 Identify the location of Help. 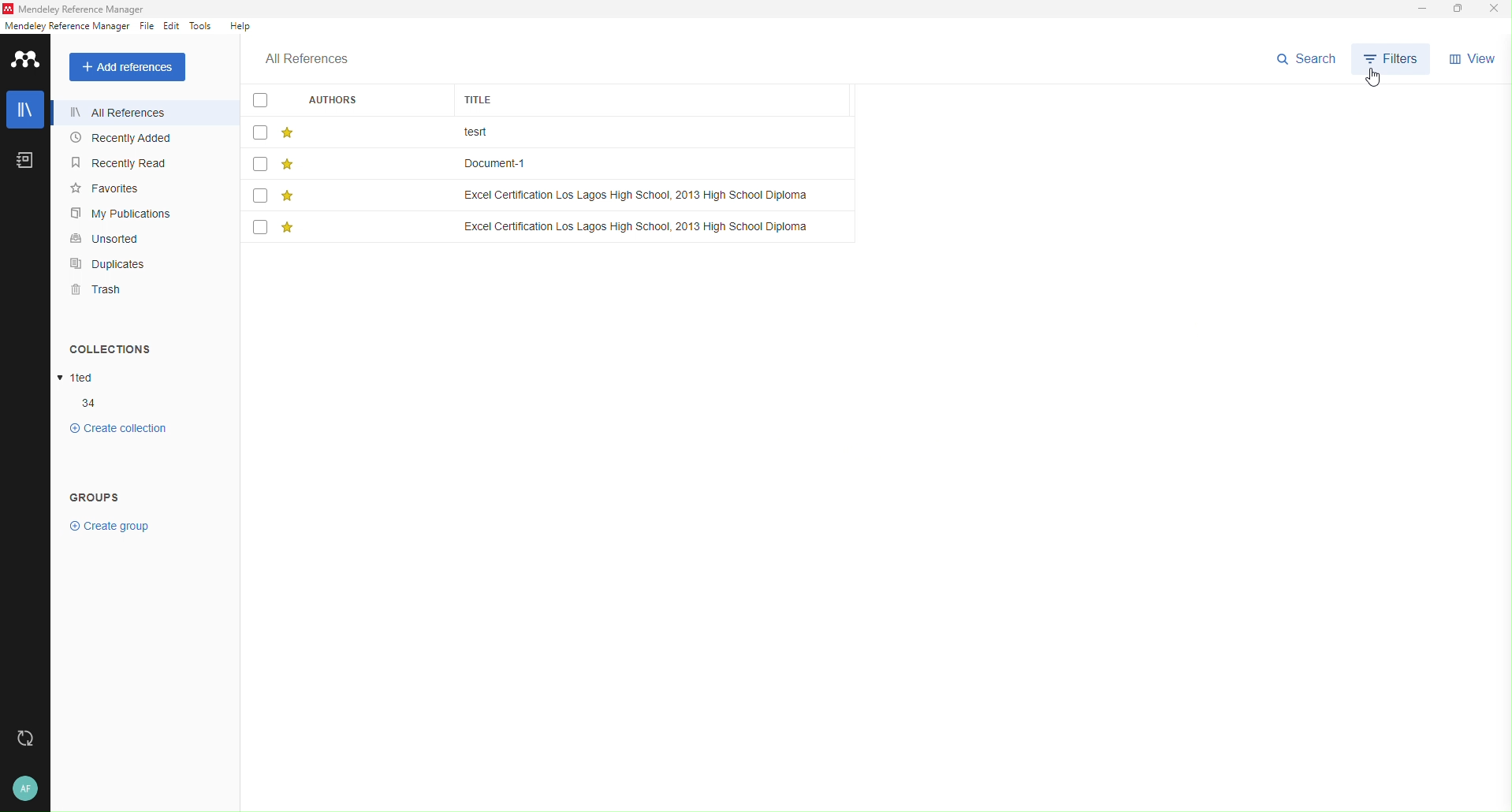
(238, 28).